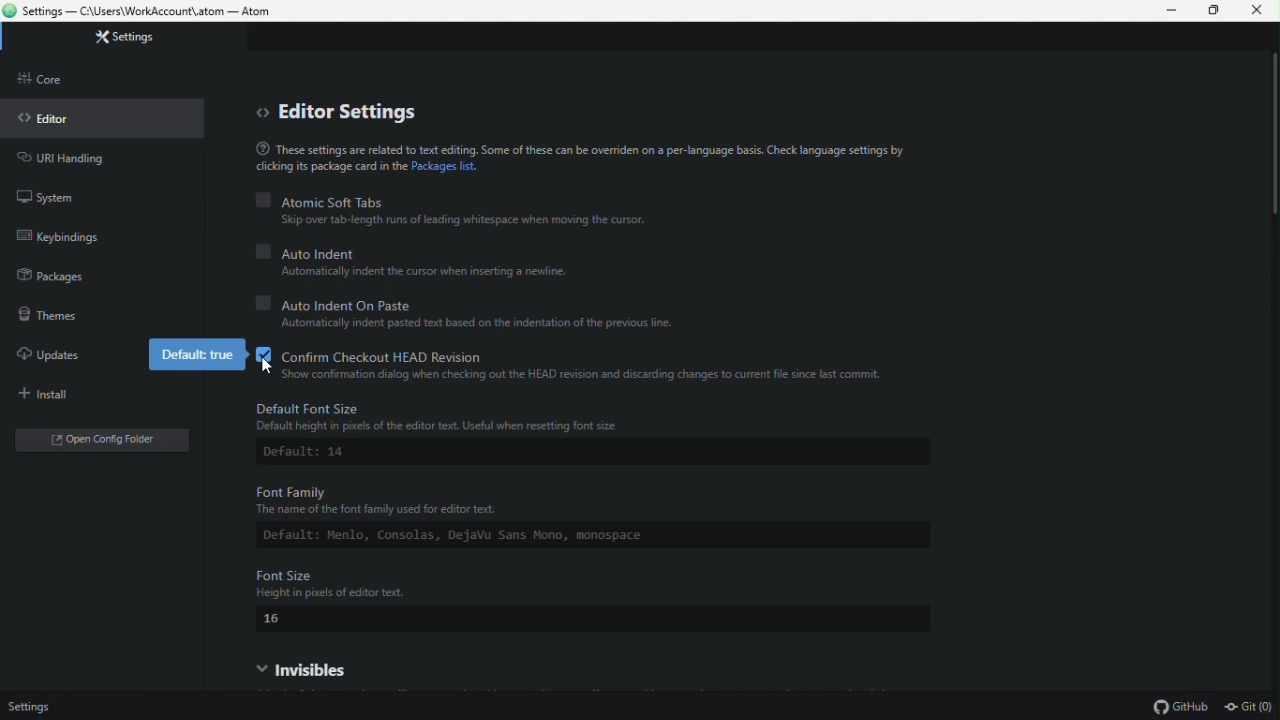 This screenshot has height=720, width=1280. What do you see at coordinates (268, 367) in the screenshot?
I see `cursor` at bounding box center [268, 367].